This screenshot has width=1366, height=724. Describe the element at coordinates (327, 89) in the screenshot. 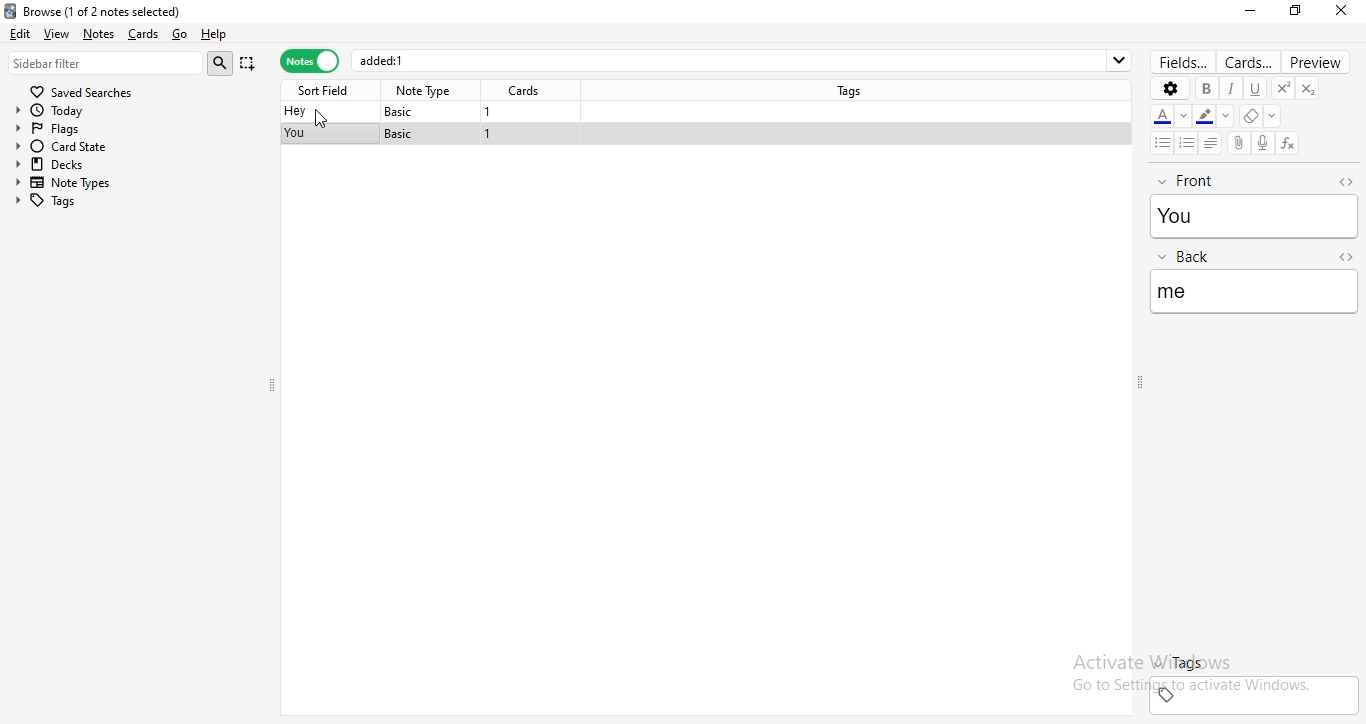

I see `sort field` at that location.